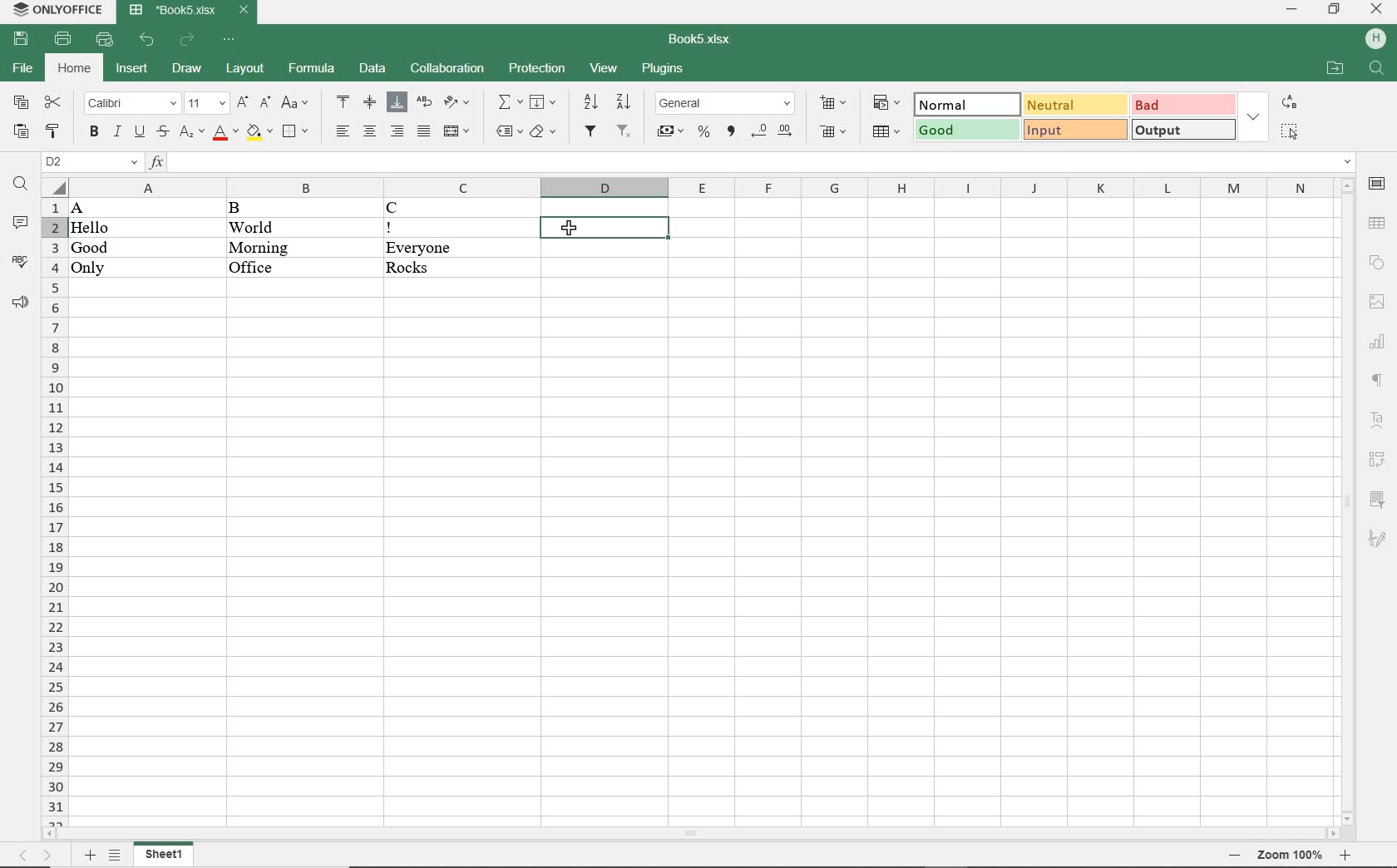 The height and width of the screenshot is (868, 1397). I want to click on CHANGE DECIMAL, so click(774, 131).